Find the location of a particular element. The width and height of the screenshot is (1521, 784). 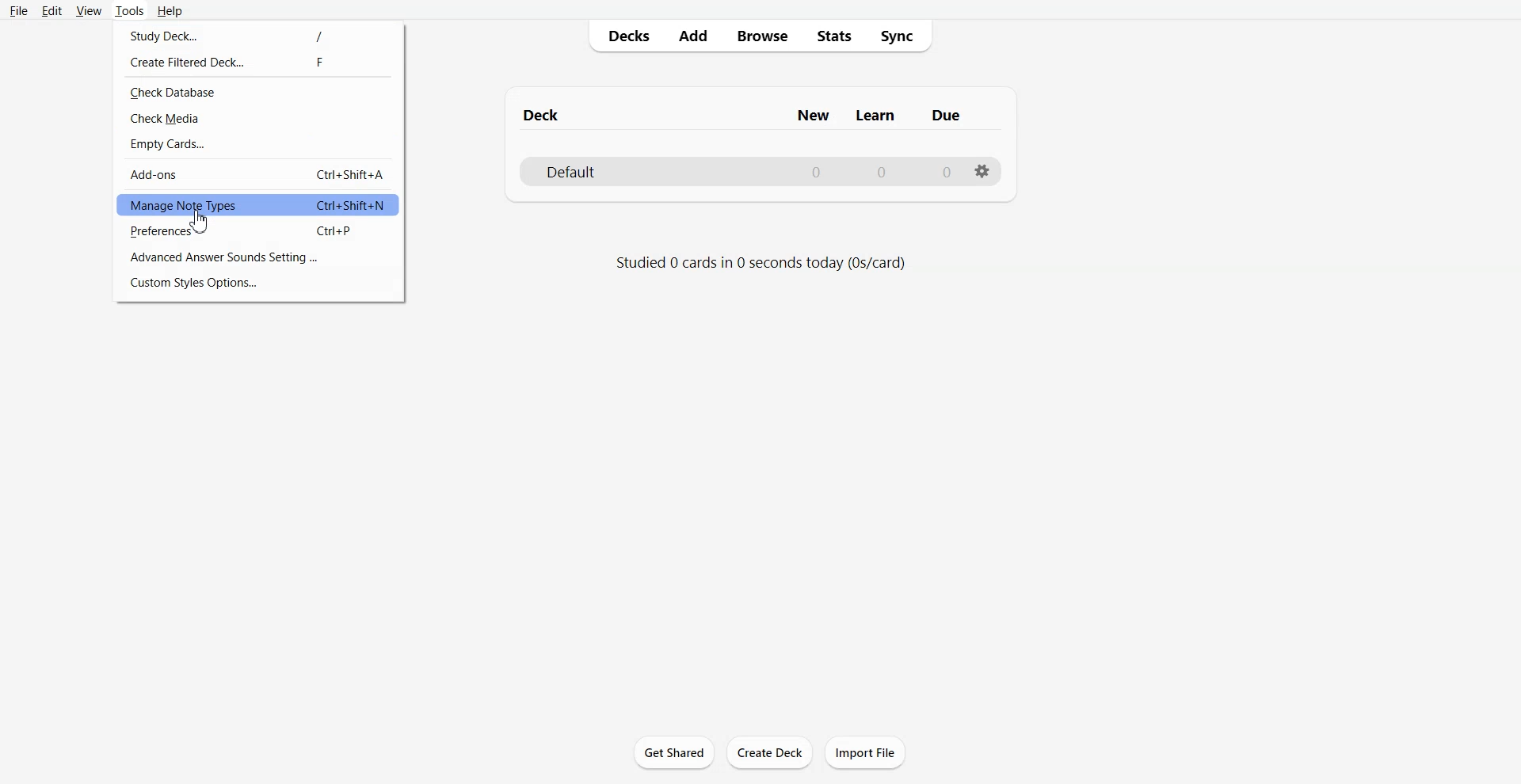

Text 1 is located at coordinates (747, 112).